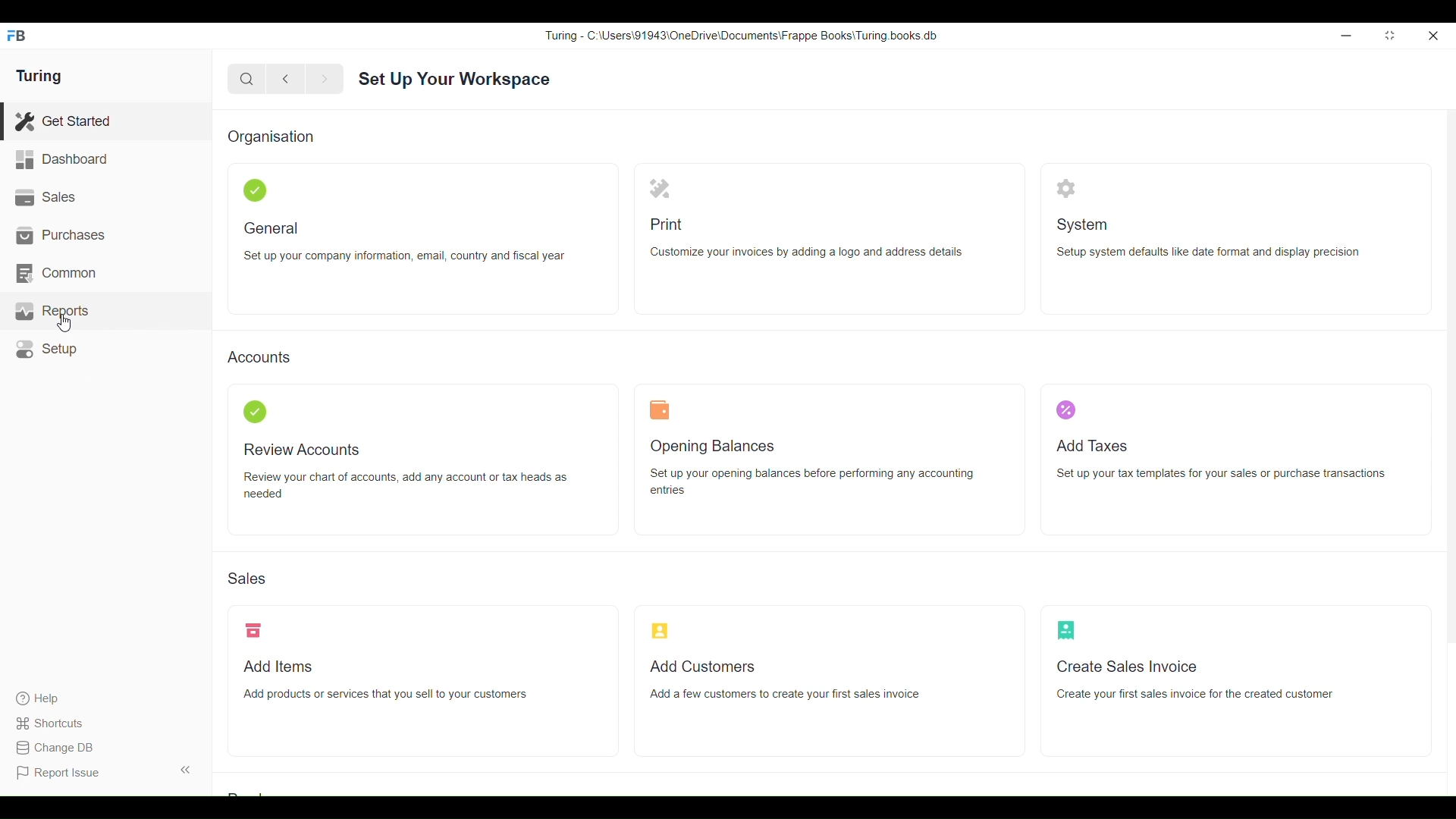  I want to click on General icon, so click(255, 190).